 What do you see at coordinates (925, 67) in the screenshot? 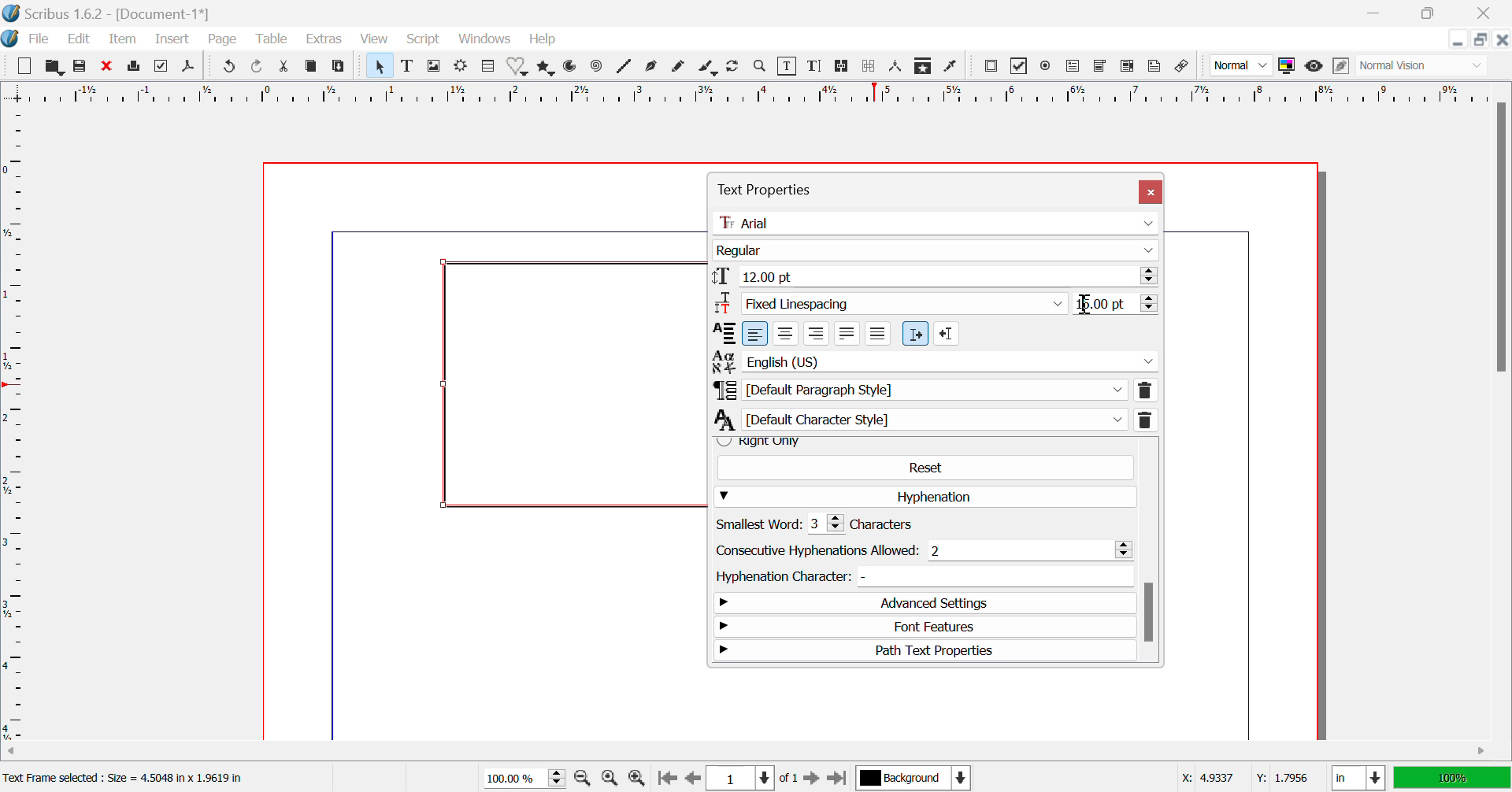
I see `Copy Item Properties` at bounding box center [925, 67].